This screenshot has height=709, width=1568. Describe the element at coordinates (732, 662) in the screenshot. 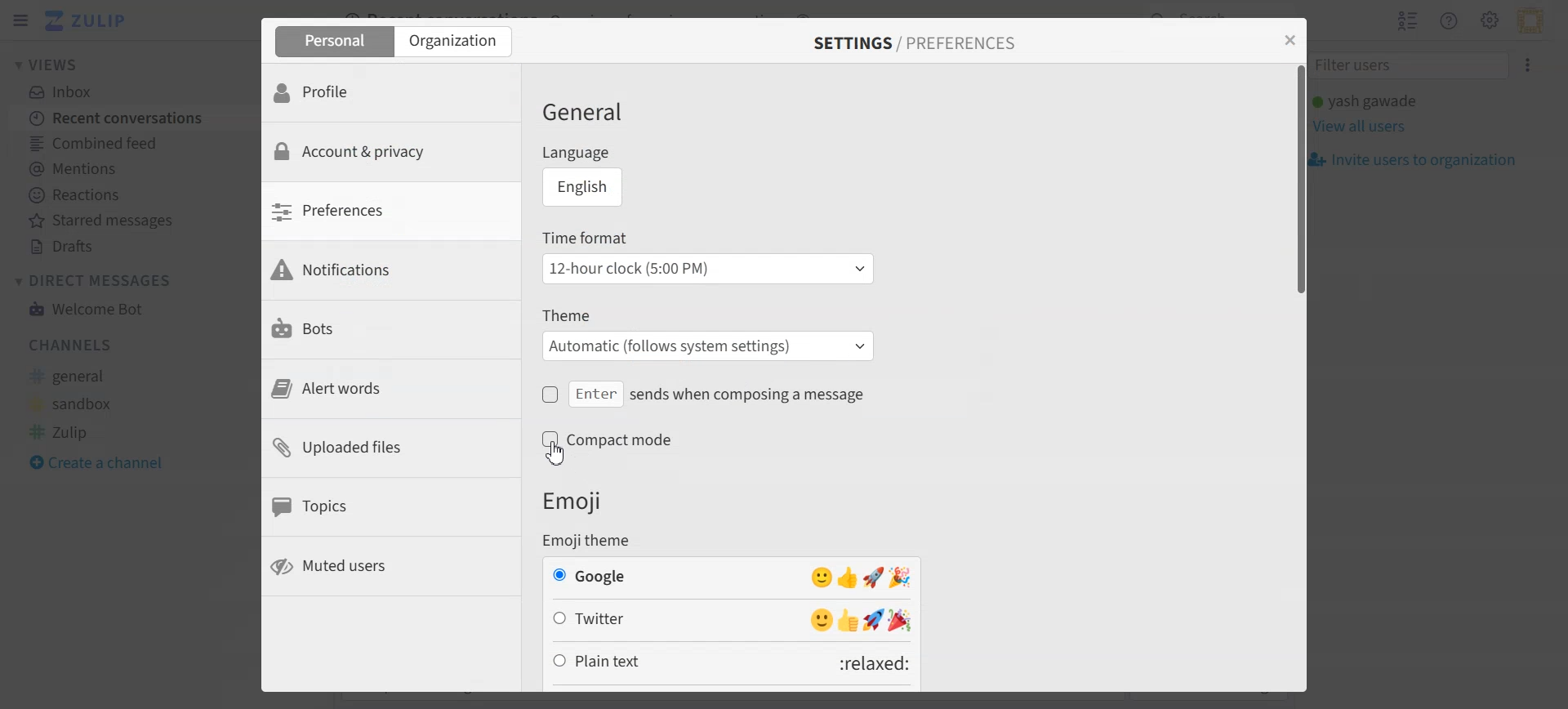

I see `Plain text` at that location.